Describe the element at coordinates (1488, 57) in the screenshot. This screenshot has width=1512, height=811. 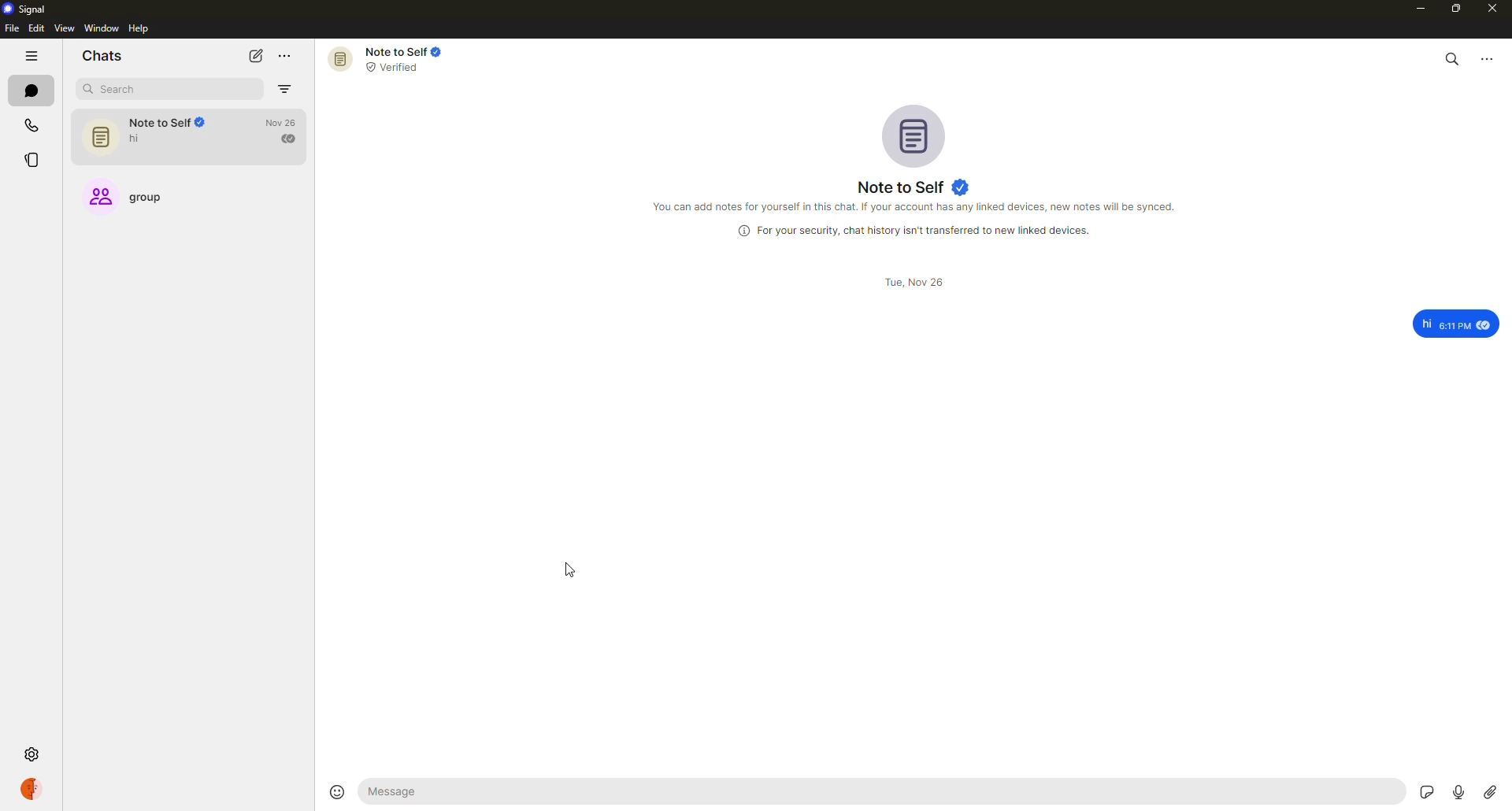
I see `more` at that location.